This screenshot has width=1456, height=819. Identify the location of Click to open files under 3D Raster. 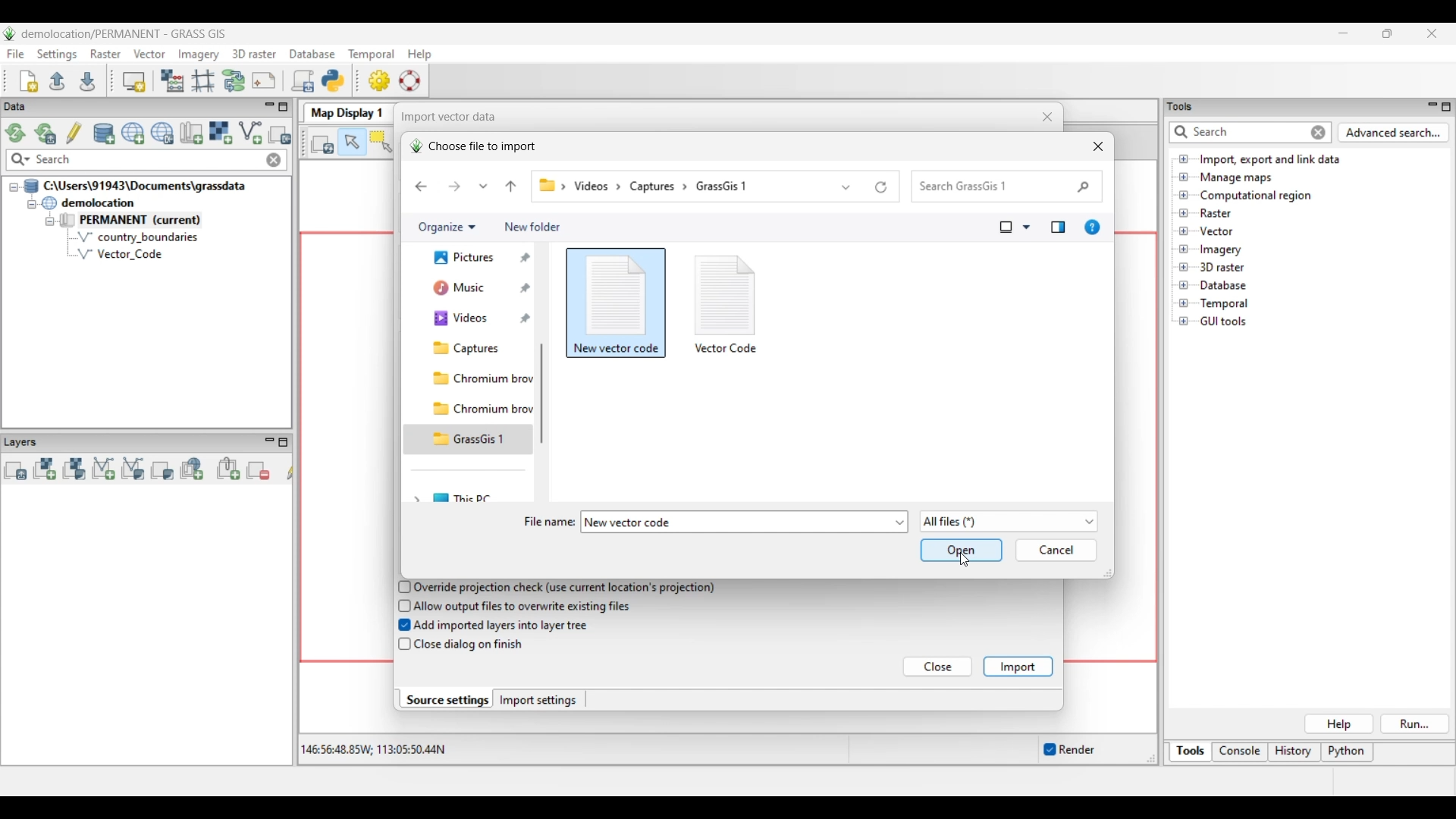
(1184, 267).